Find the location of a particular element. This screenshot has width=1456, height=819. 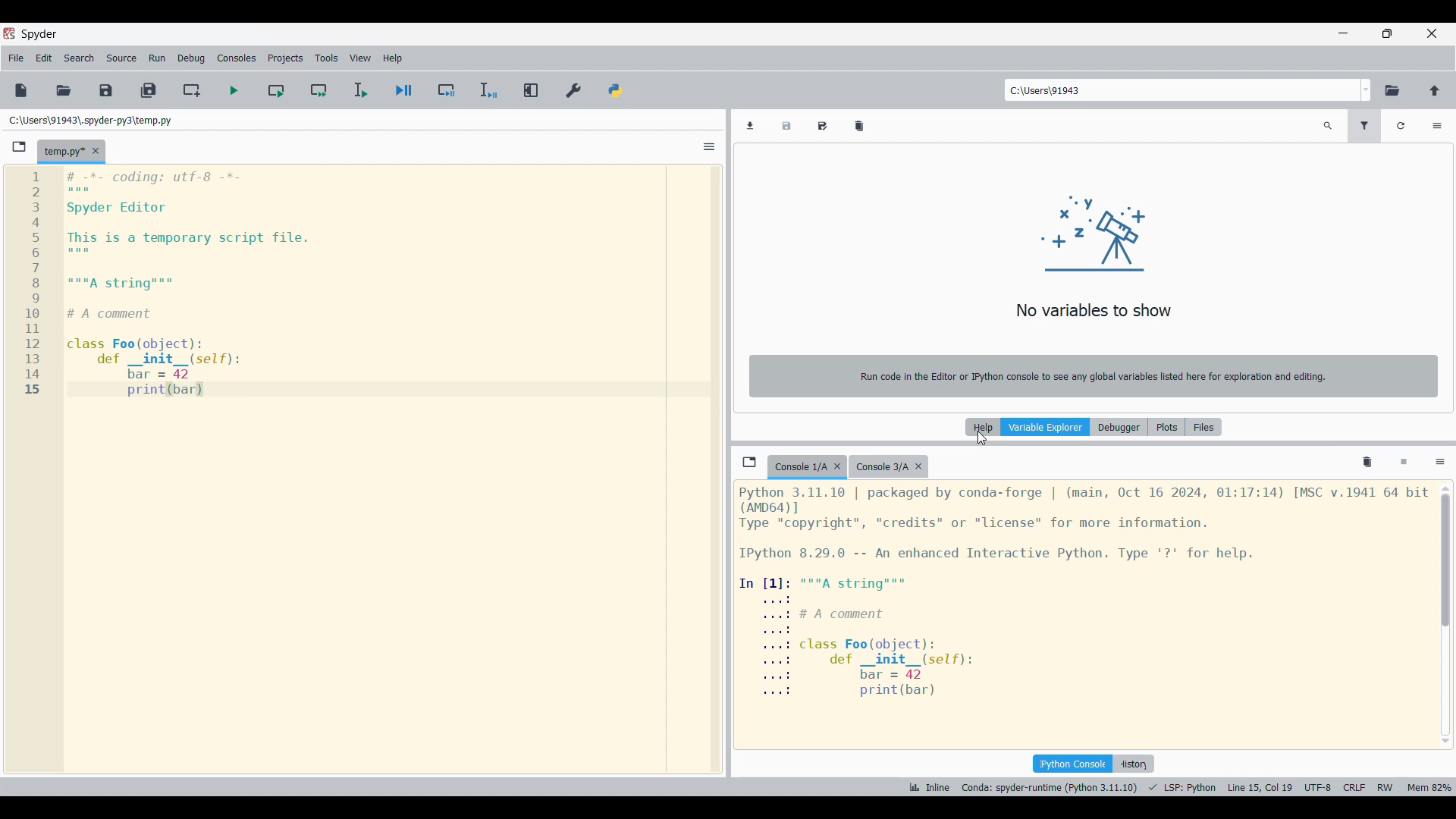

Save data as is located at coordinates (823, 126).